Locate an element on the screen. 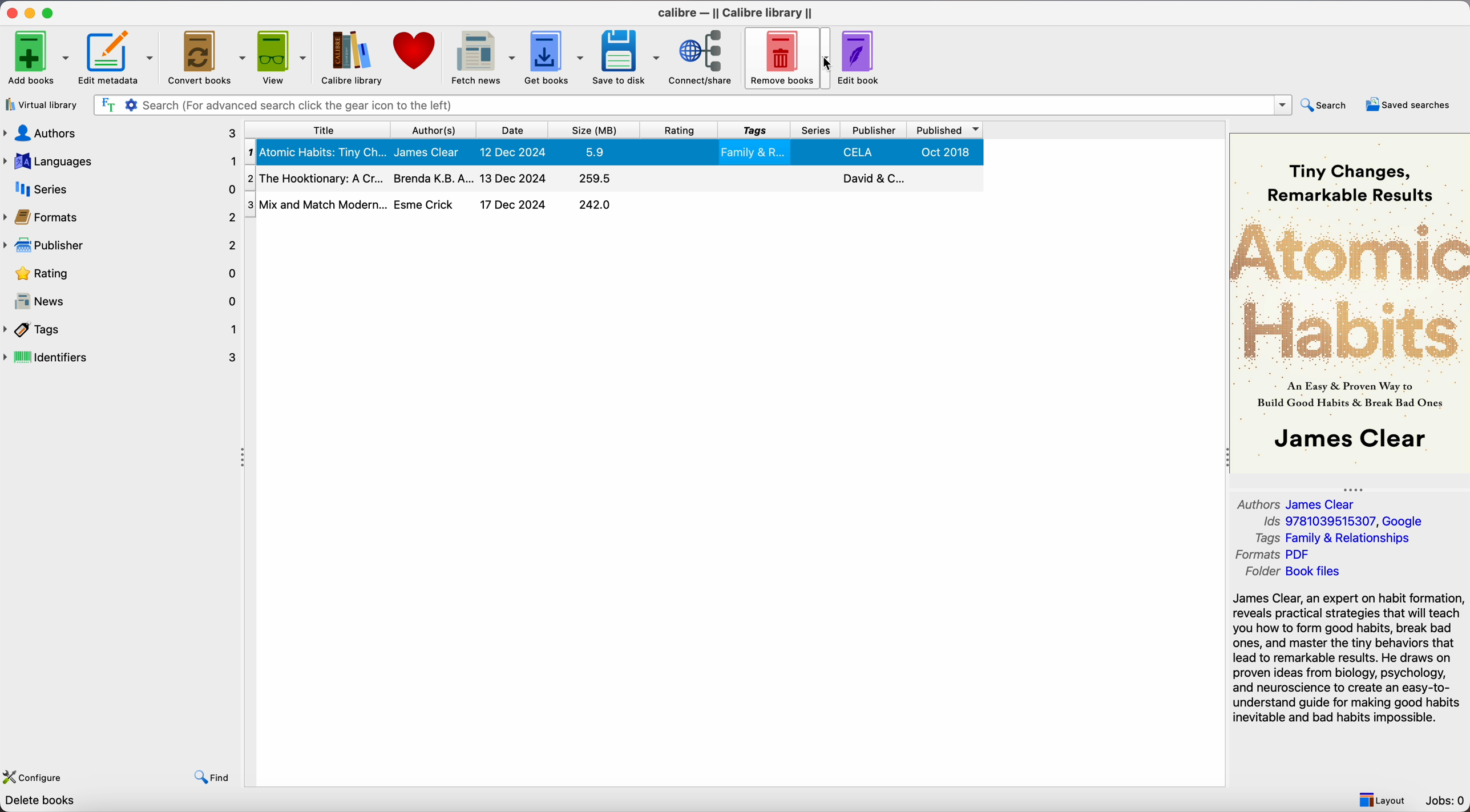 This screenshot has height=812, width=1470. book cover preview is located at coordinates (1350, 302).